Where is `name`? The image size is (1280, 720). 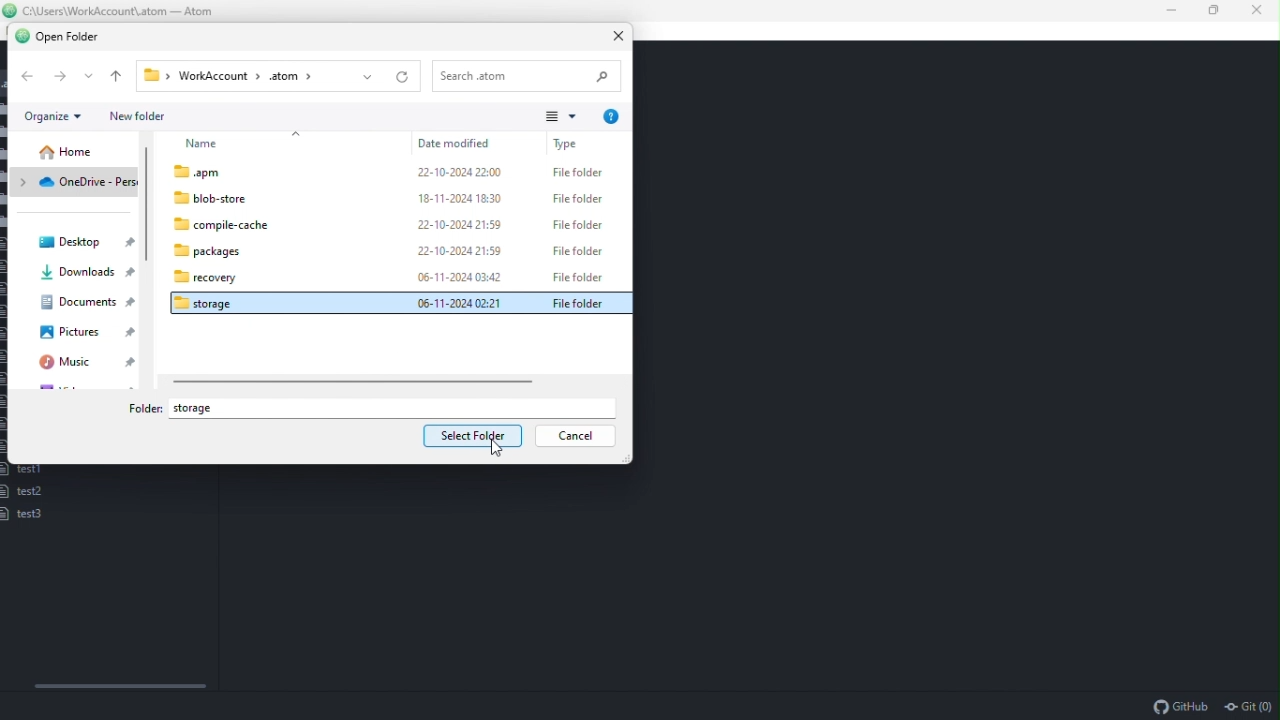
name is located at coordinates (246, 143).